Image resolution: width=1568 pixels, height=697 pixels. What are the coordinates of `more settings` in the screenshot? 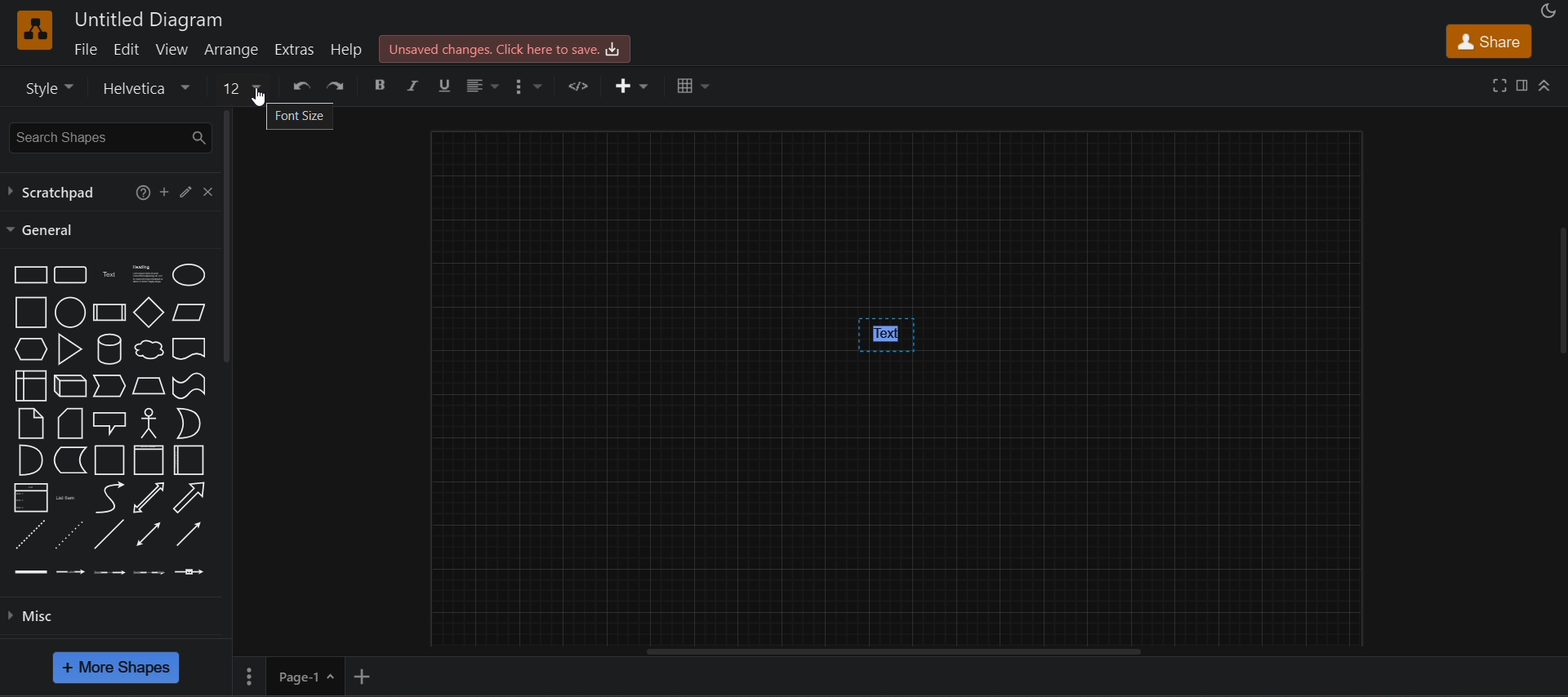 It's located at (247, 677).